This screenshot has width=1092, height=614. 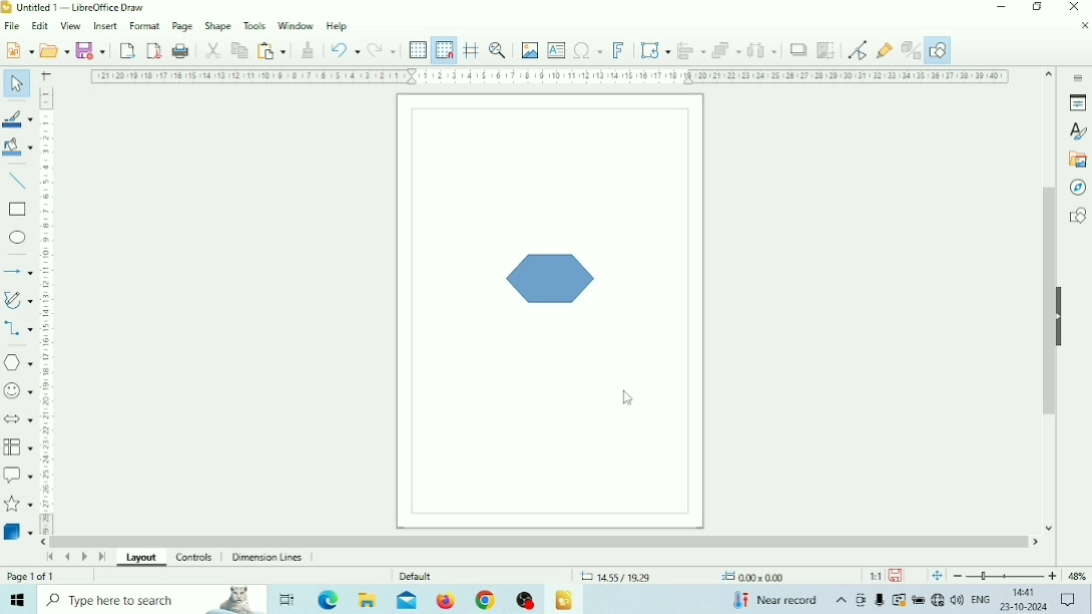 I want to click on Shapes, so click(x=1077, y=215).